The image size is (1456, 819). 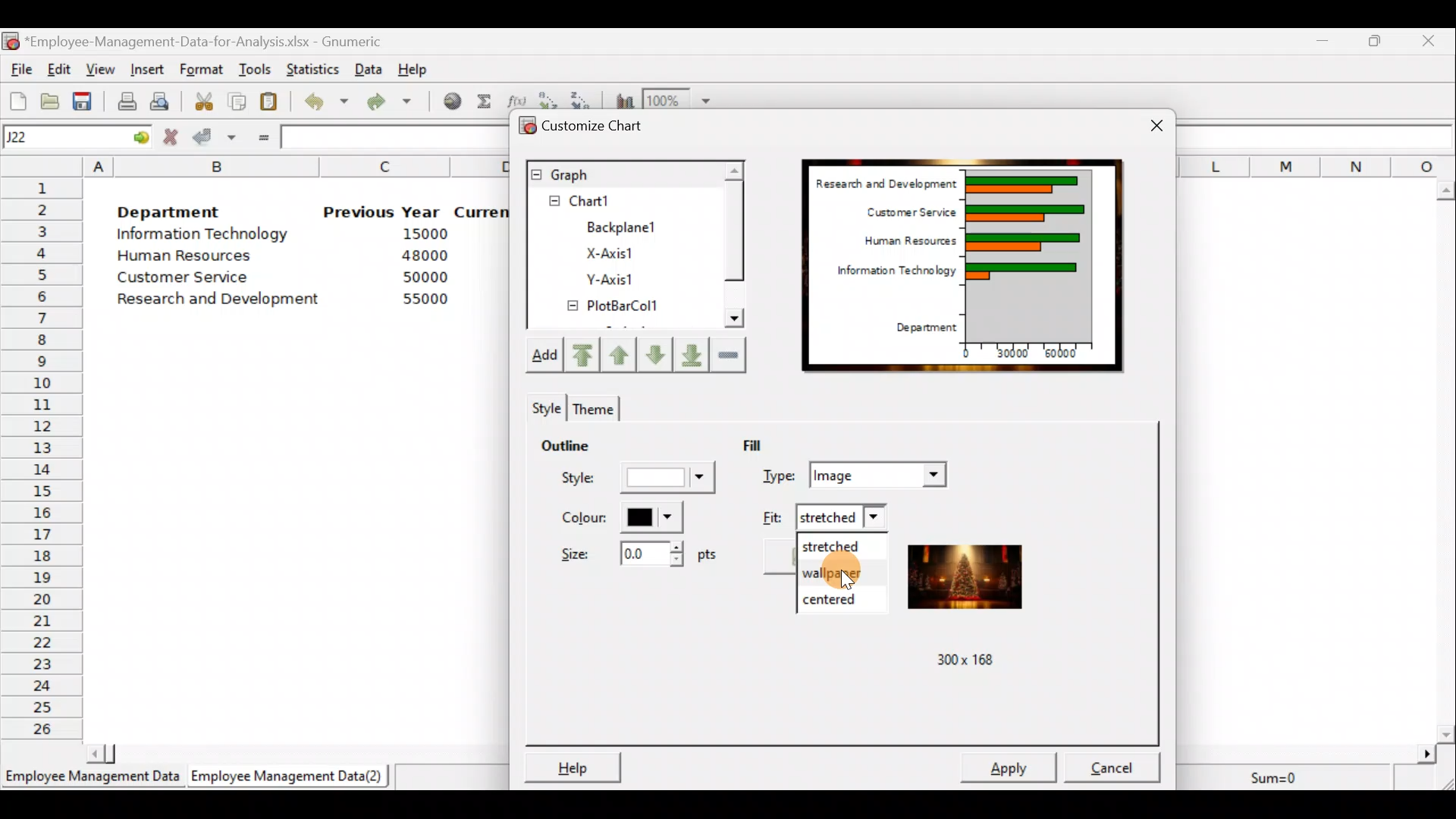 I want to click on Cut the selection, so click(x=206, y=104).